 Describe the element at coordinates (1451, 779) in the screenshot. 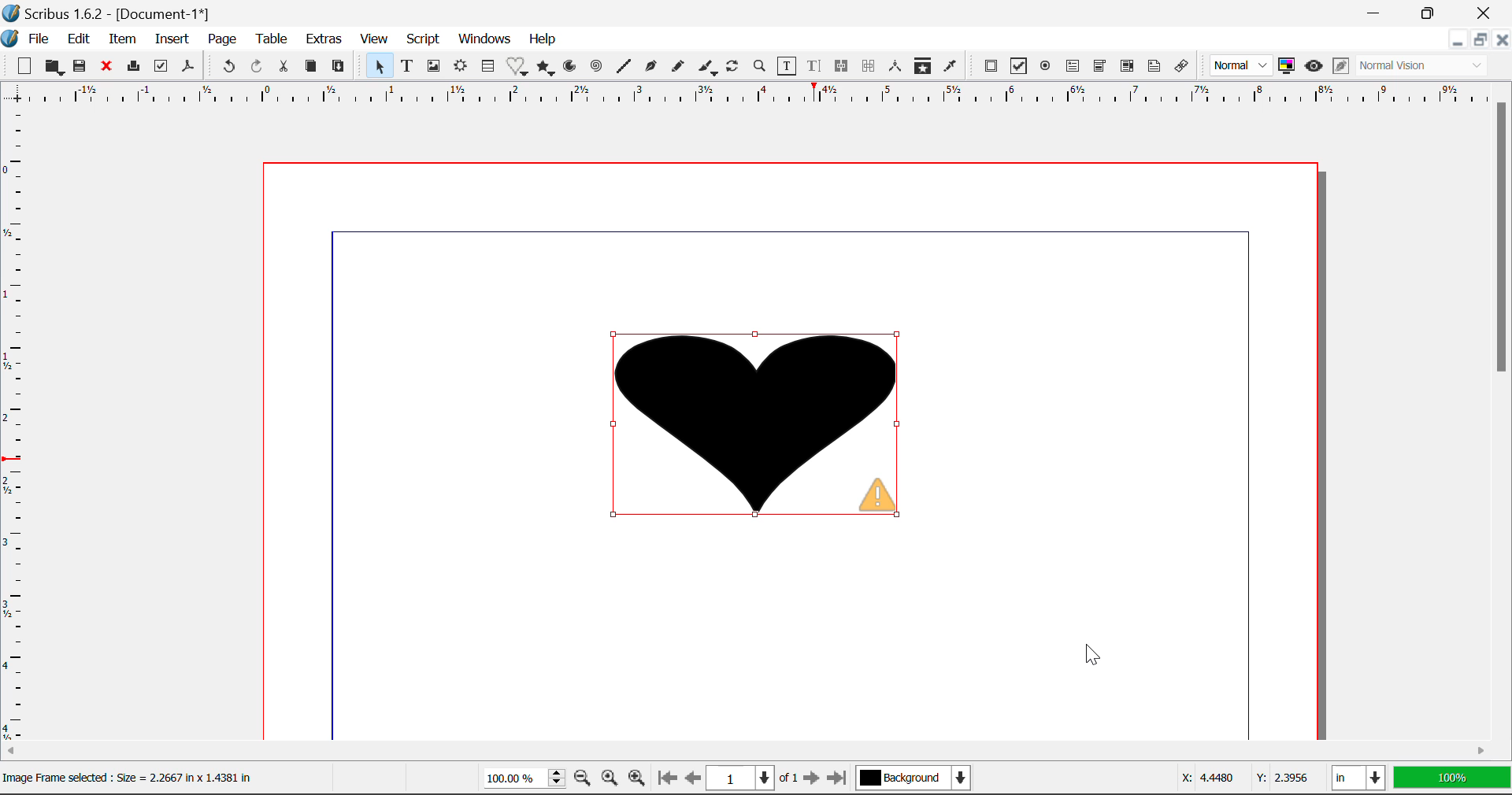

I see `100%` at that location.